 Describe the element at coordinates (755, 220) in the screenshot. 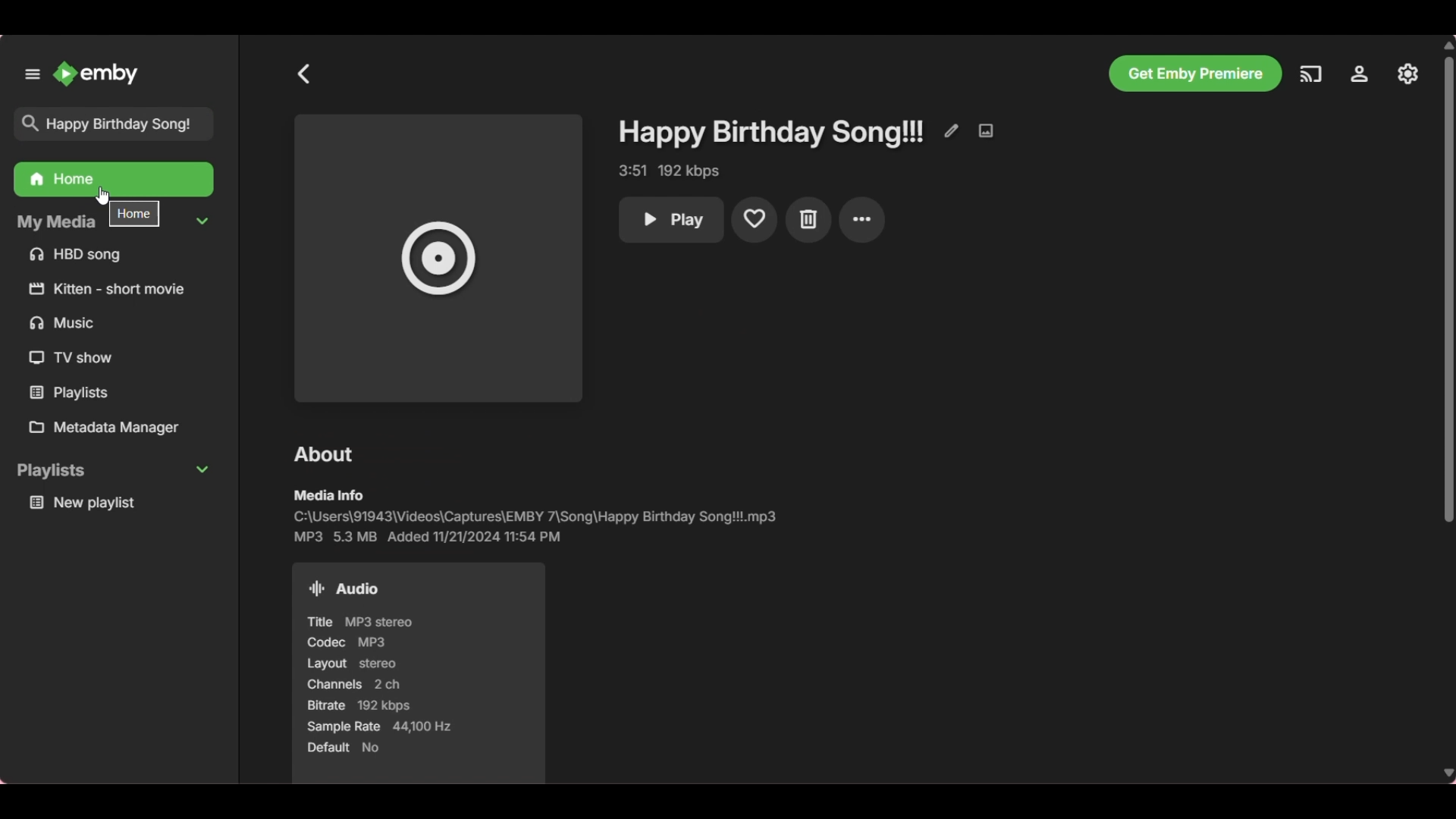

I see `Add to favorite` at that location.